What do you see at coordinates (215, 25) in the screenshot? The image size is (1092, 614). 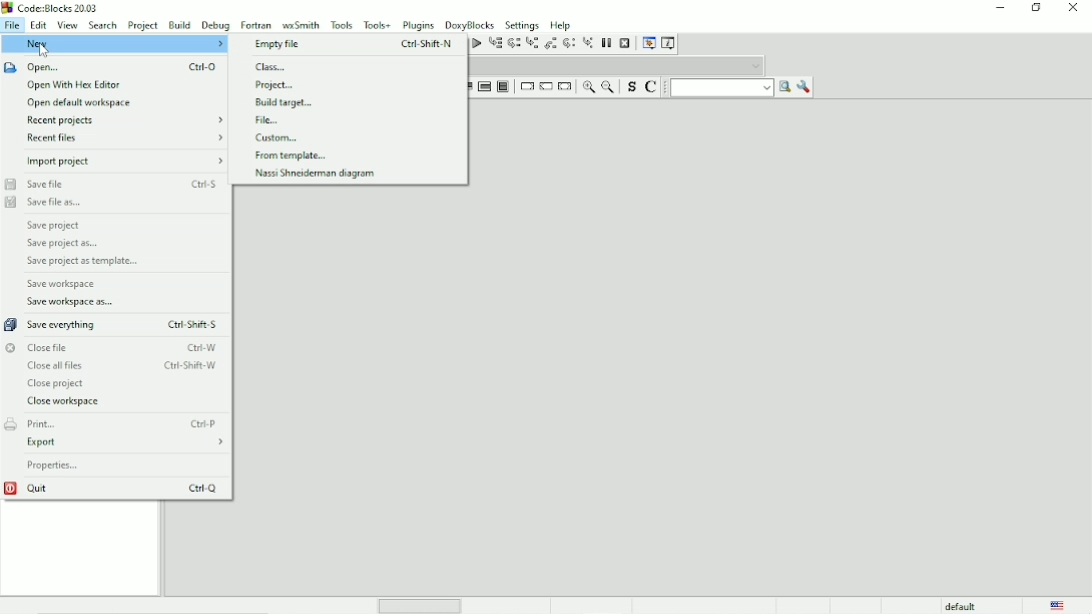 I see `Debug` at bounding box center [215, 25].